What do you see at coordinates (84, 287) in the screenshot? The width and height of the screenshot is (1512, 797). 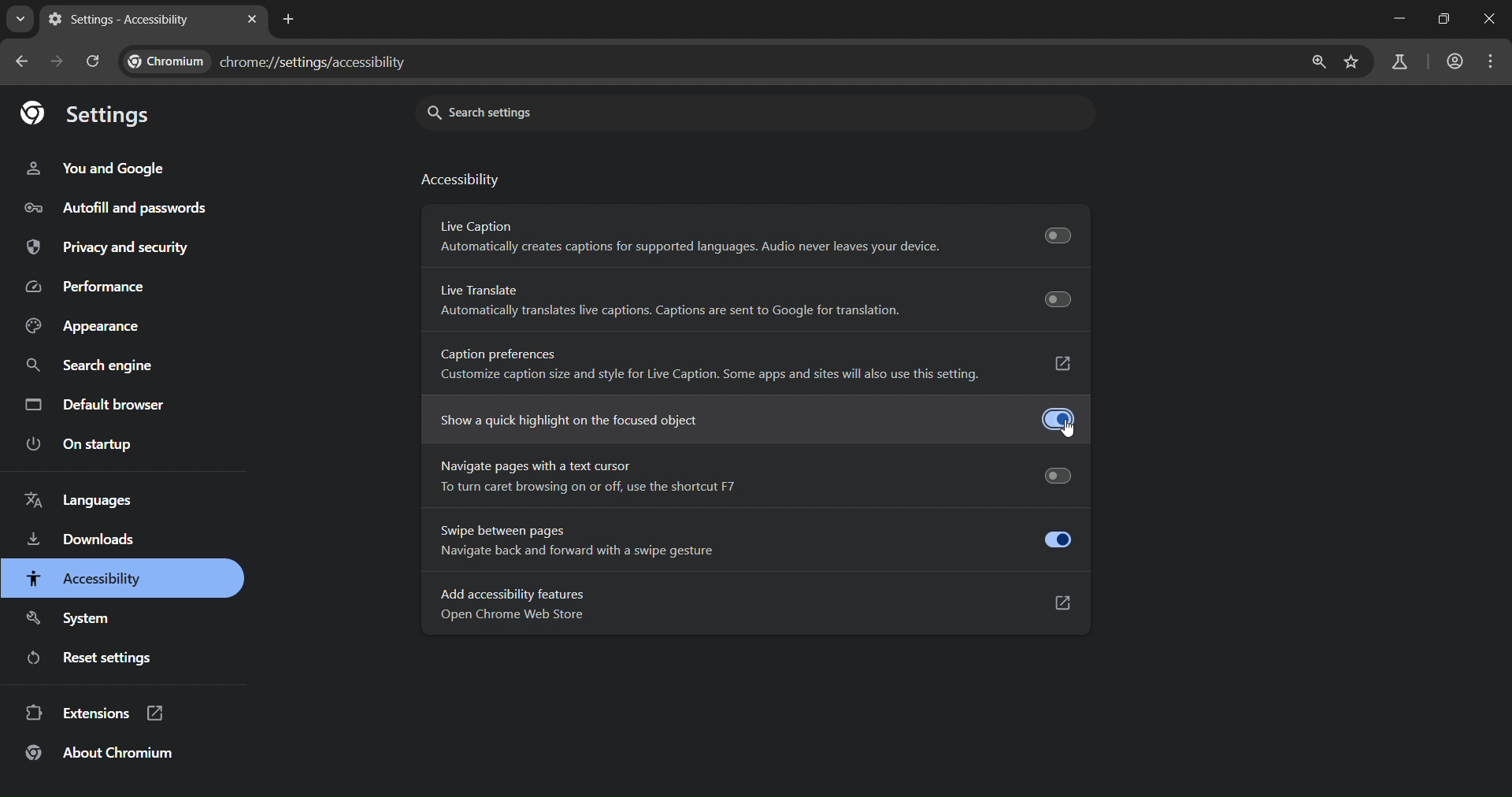 I see `performance` at bounding box center [84, 287].